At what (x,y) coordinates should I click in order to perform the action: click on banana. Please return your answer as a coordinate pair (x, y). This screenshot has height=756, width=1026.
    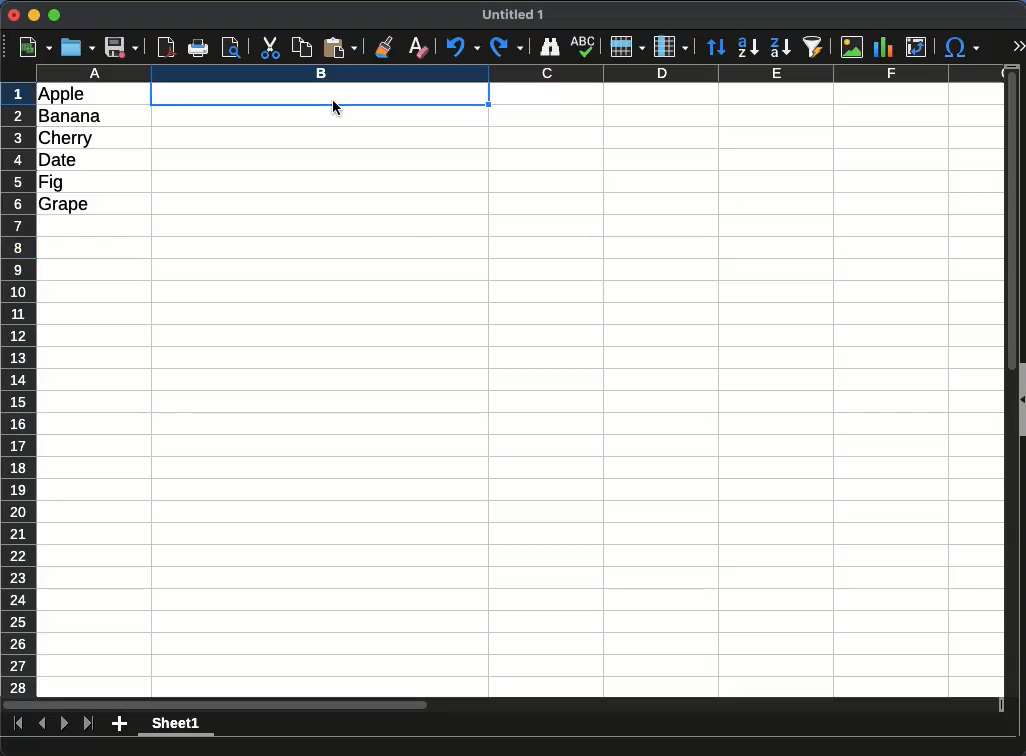
    Looking at the image, I should click on (70, 116).